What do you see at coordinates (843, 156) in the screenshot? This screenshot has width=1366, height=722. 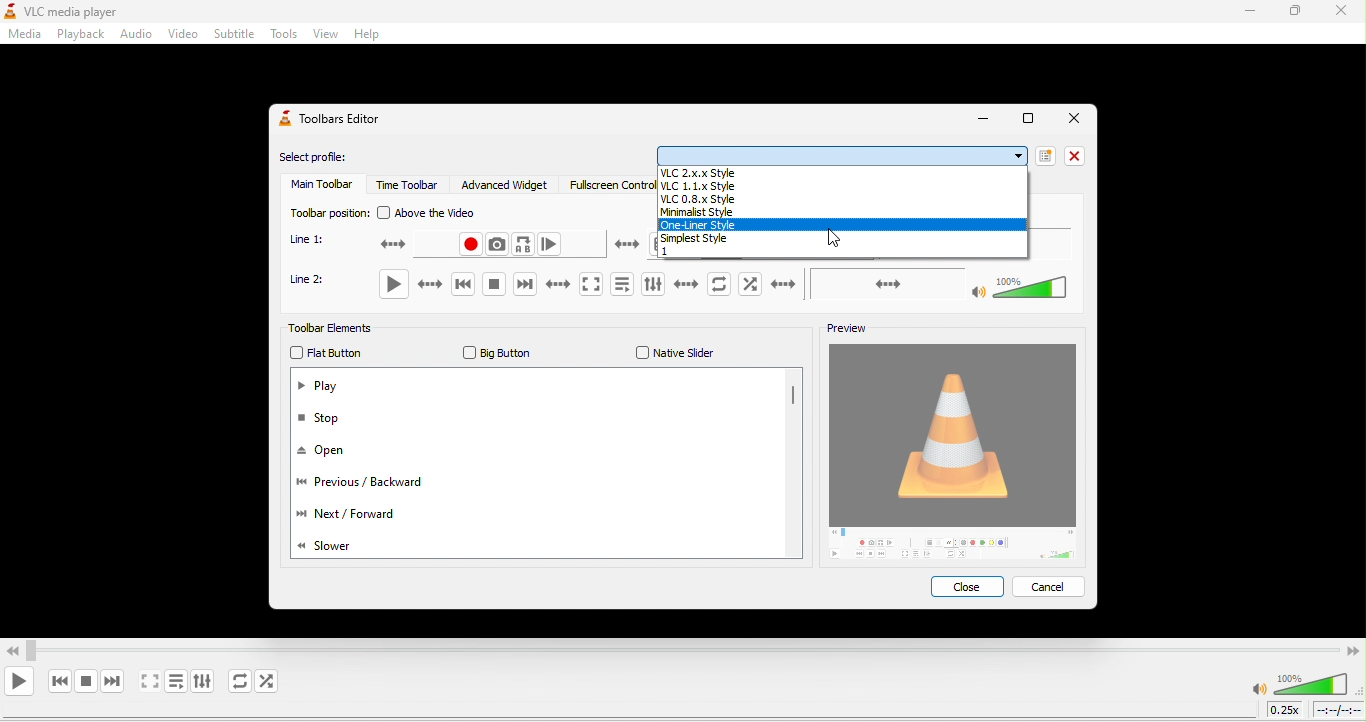 I see `options` at bounding box center [843, 156].